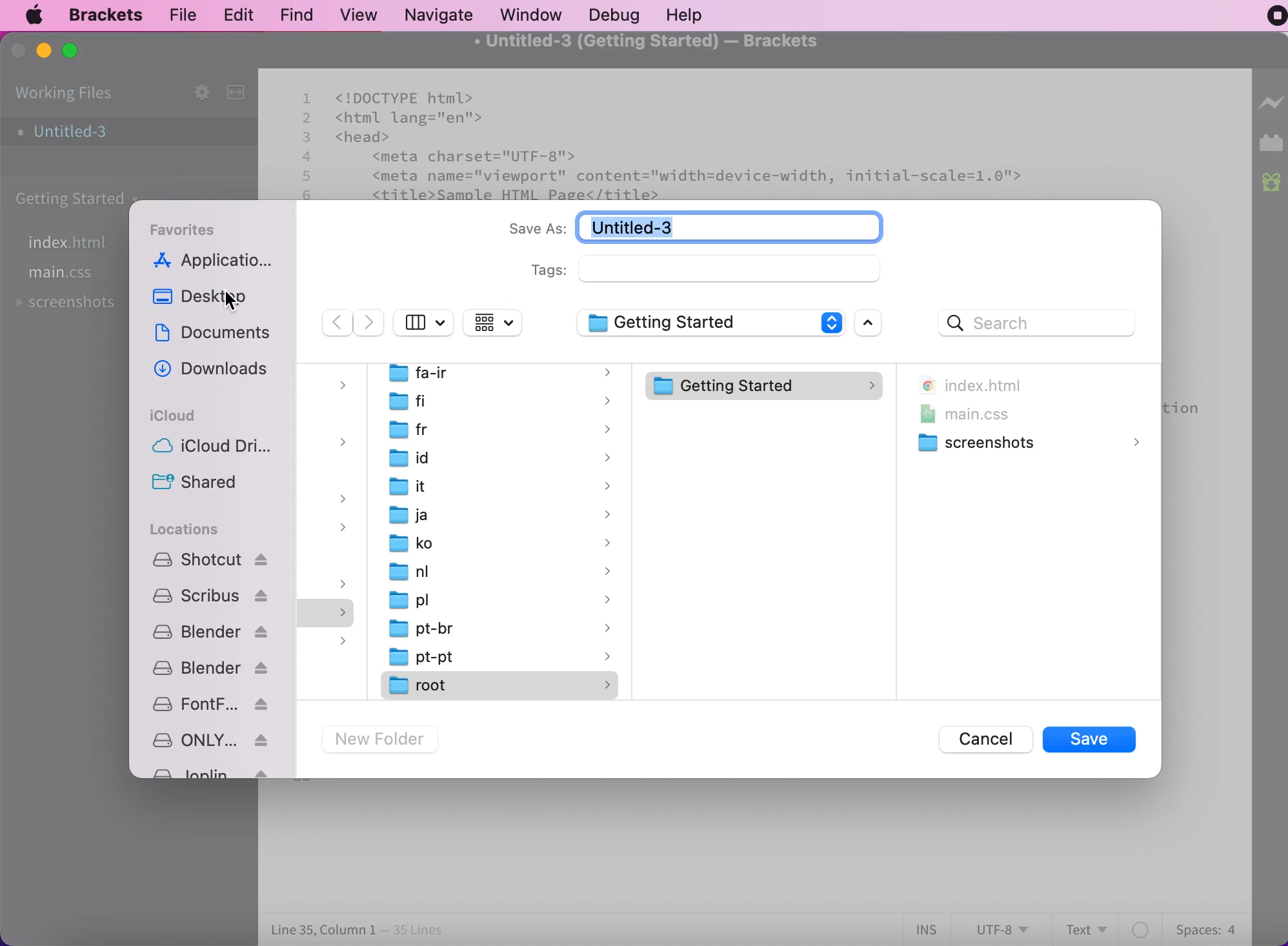 The height and width of the screenshot is (946, 1288). What do you see at coordinates (701, 15) in the screenshot?
I see `help` at bounding box center [701, 15].